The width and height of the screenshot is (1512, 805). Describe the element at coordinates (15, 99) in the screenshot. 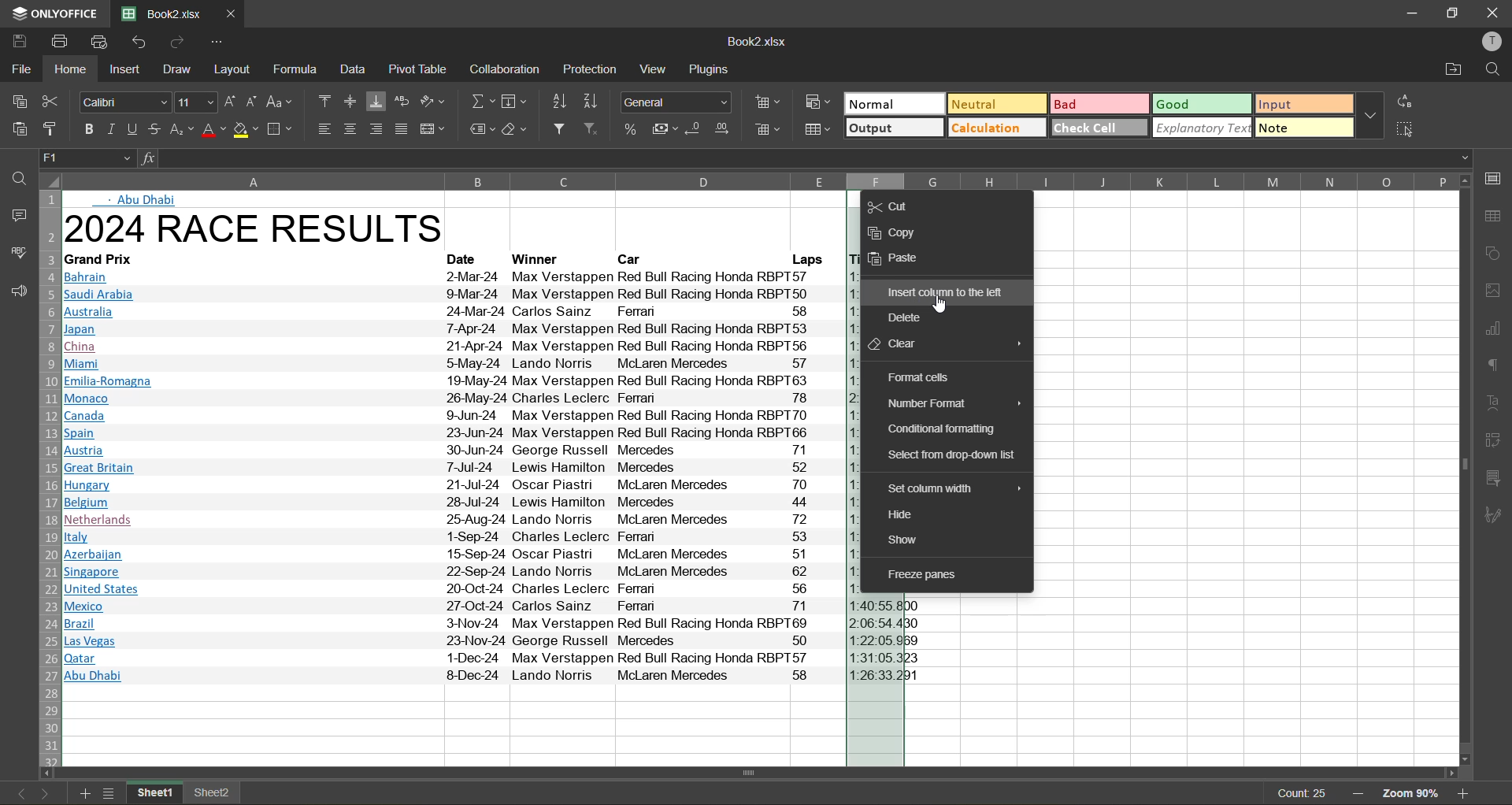

I see `copy` at that location.